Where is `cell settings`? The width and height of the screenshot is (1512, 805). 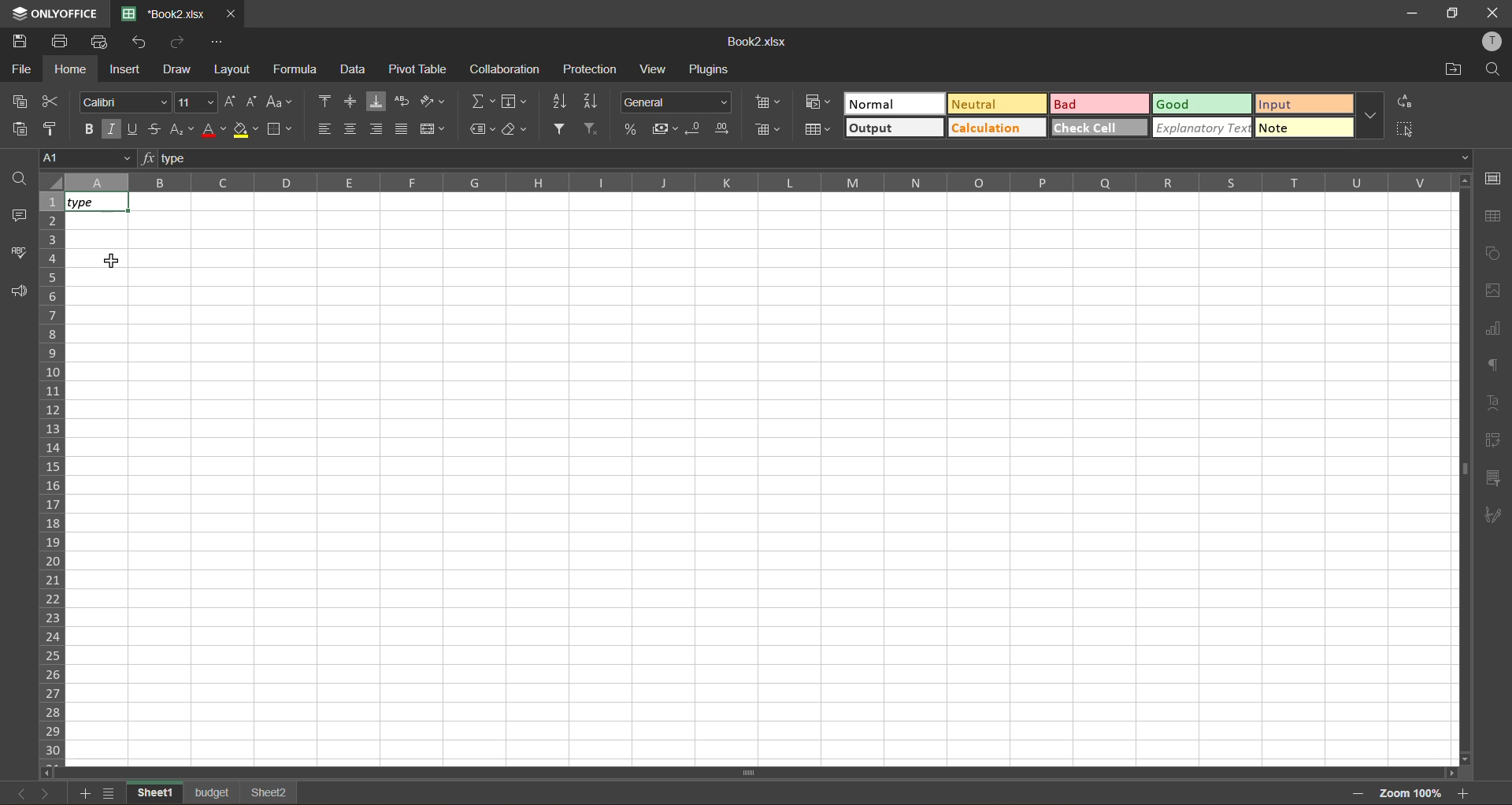 cell settings is located at coordinates (1496, 180).